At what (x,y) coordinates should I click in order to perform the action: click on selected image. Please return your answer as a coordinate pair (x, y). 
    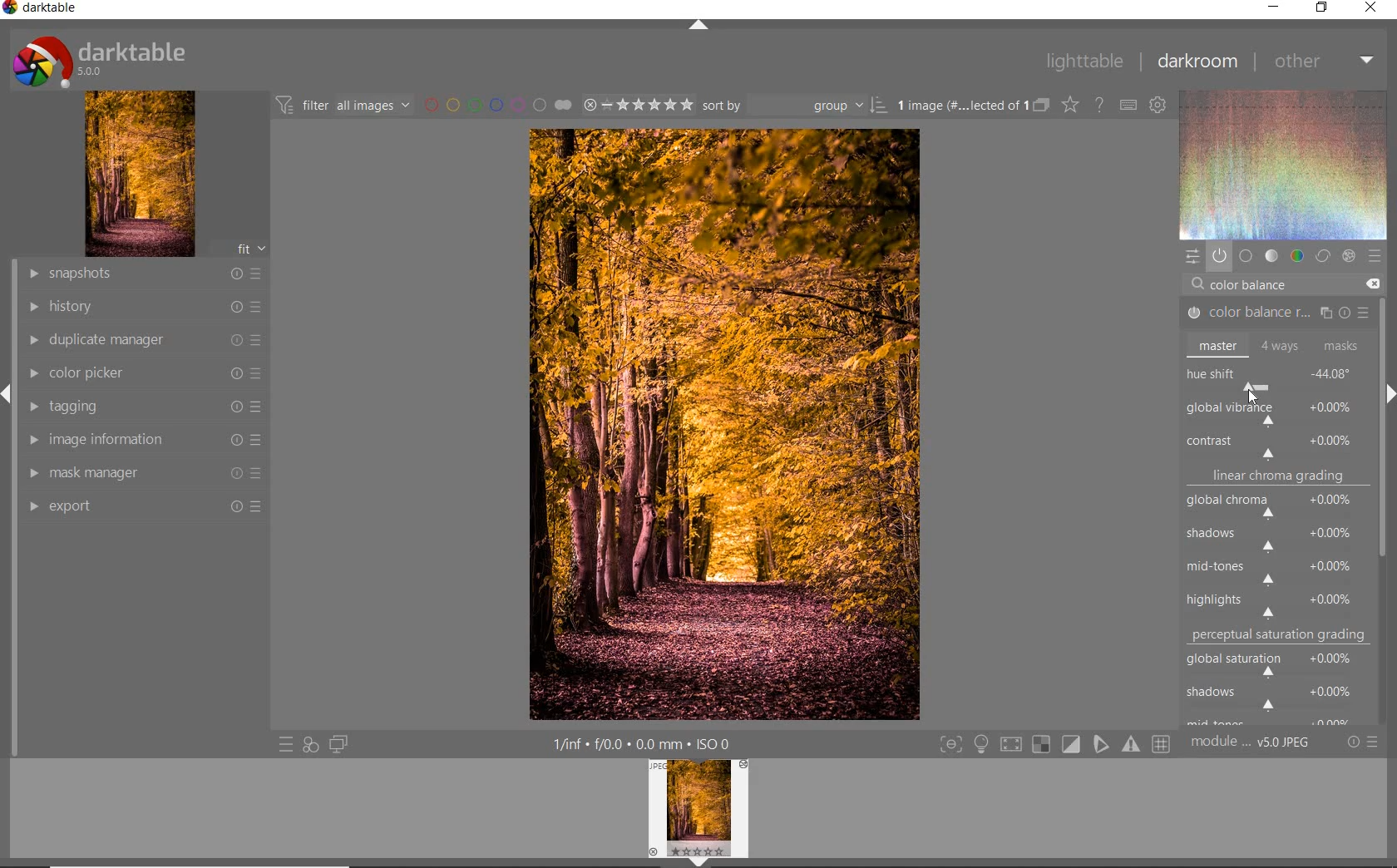
    Looking at the image, I should click on (723, 425).